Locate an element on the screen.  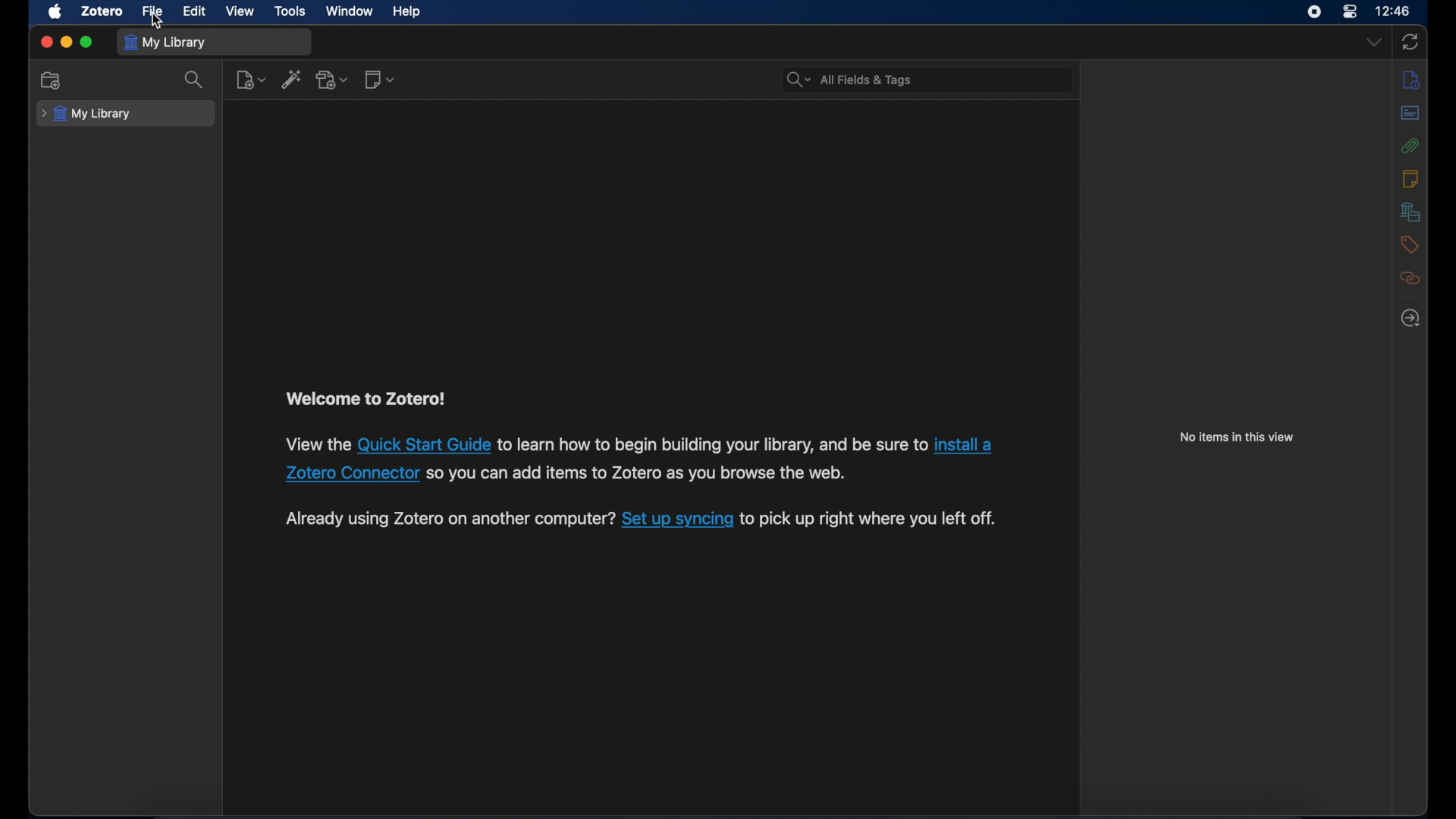
drop-down is located at coordinates (1375, 42).